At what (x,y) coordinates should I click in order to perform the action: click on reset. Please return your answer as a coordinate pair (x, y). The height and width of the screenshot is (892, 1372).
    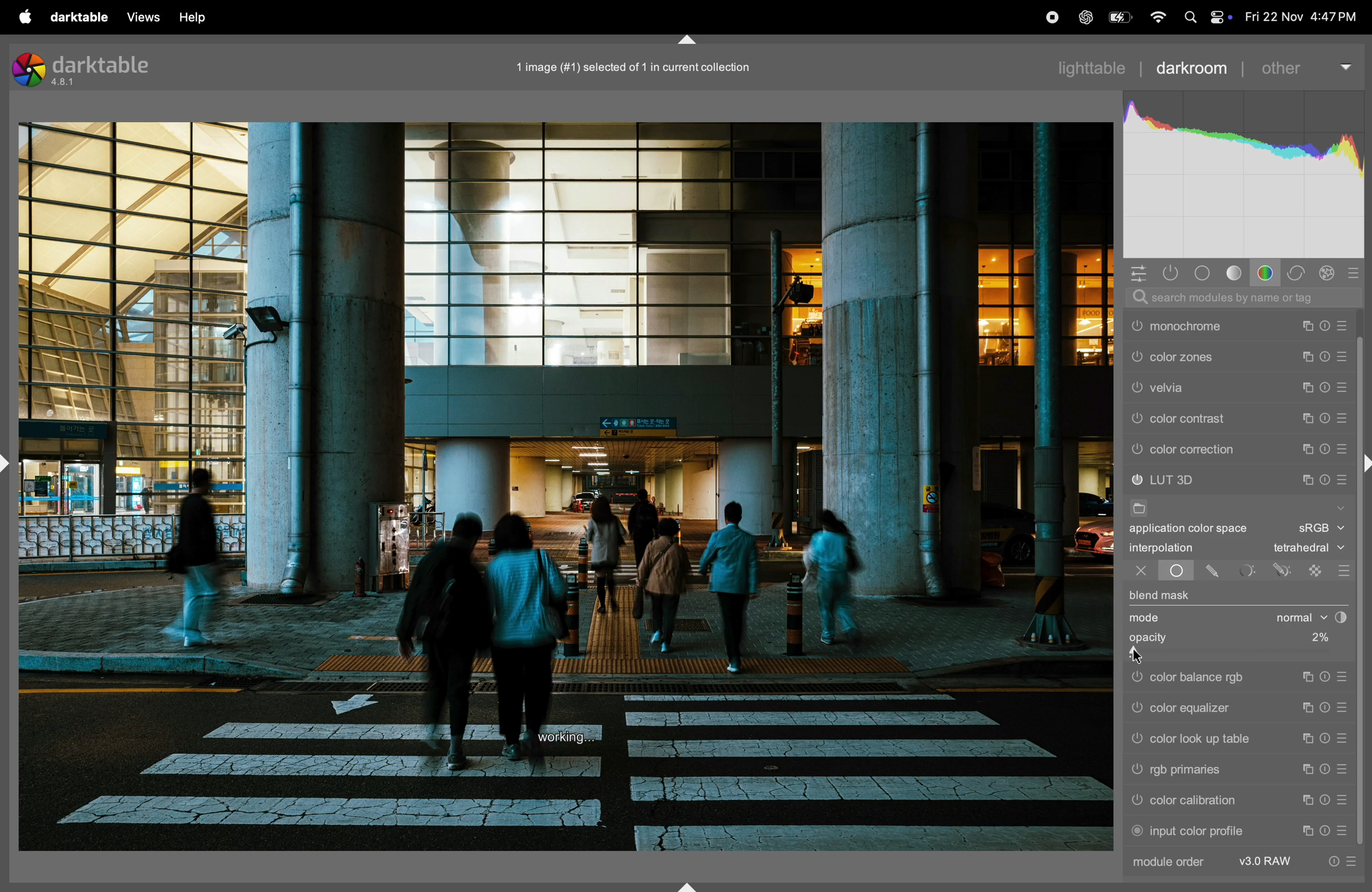
    Looking at the image, I should click on (1326, 415).